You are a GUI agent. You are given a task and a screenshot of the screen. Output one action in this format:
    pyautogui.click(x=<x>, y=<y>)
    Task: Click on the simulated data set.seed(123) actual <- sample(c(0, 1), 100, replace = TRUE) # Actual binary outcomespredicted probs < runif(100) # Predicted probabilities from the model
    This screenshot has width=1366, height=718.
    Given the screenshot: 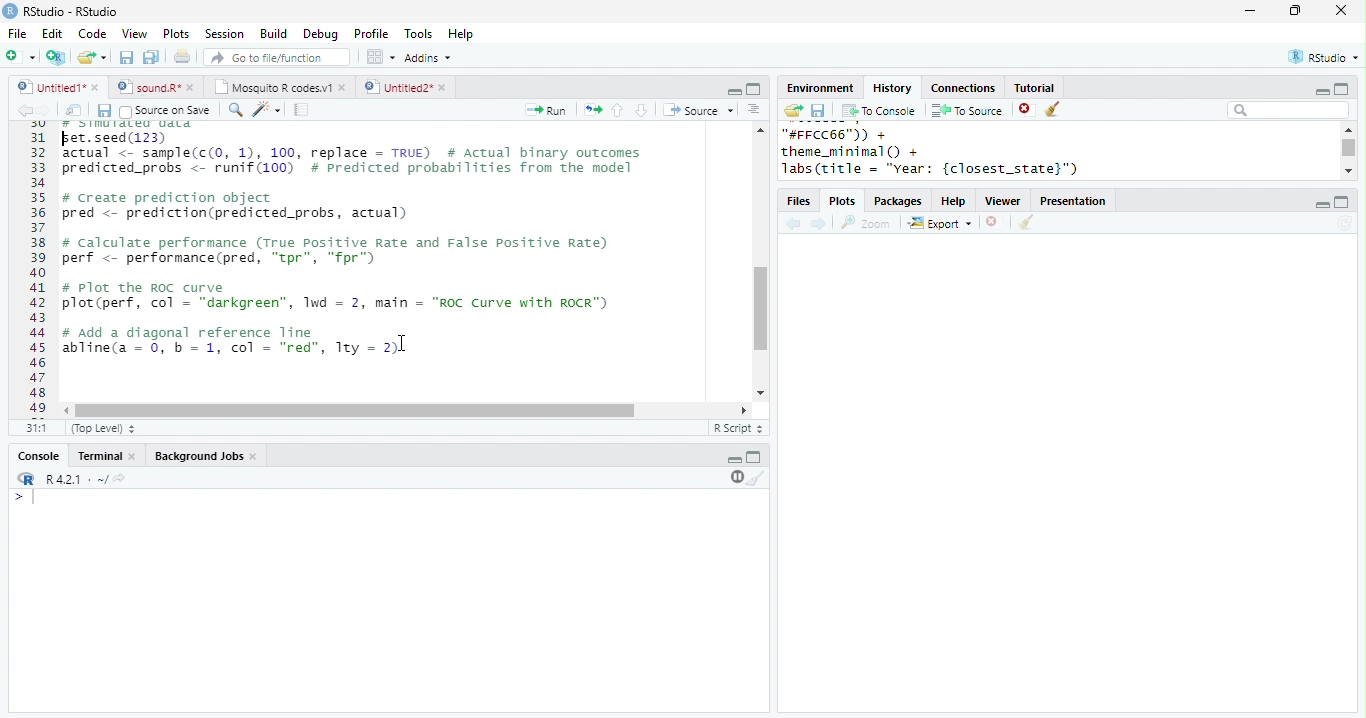 What is the action you would take?
    pyautogui.click(x=355, y=148)
    